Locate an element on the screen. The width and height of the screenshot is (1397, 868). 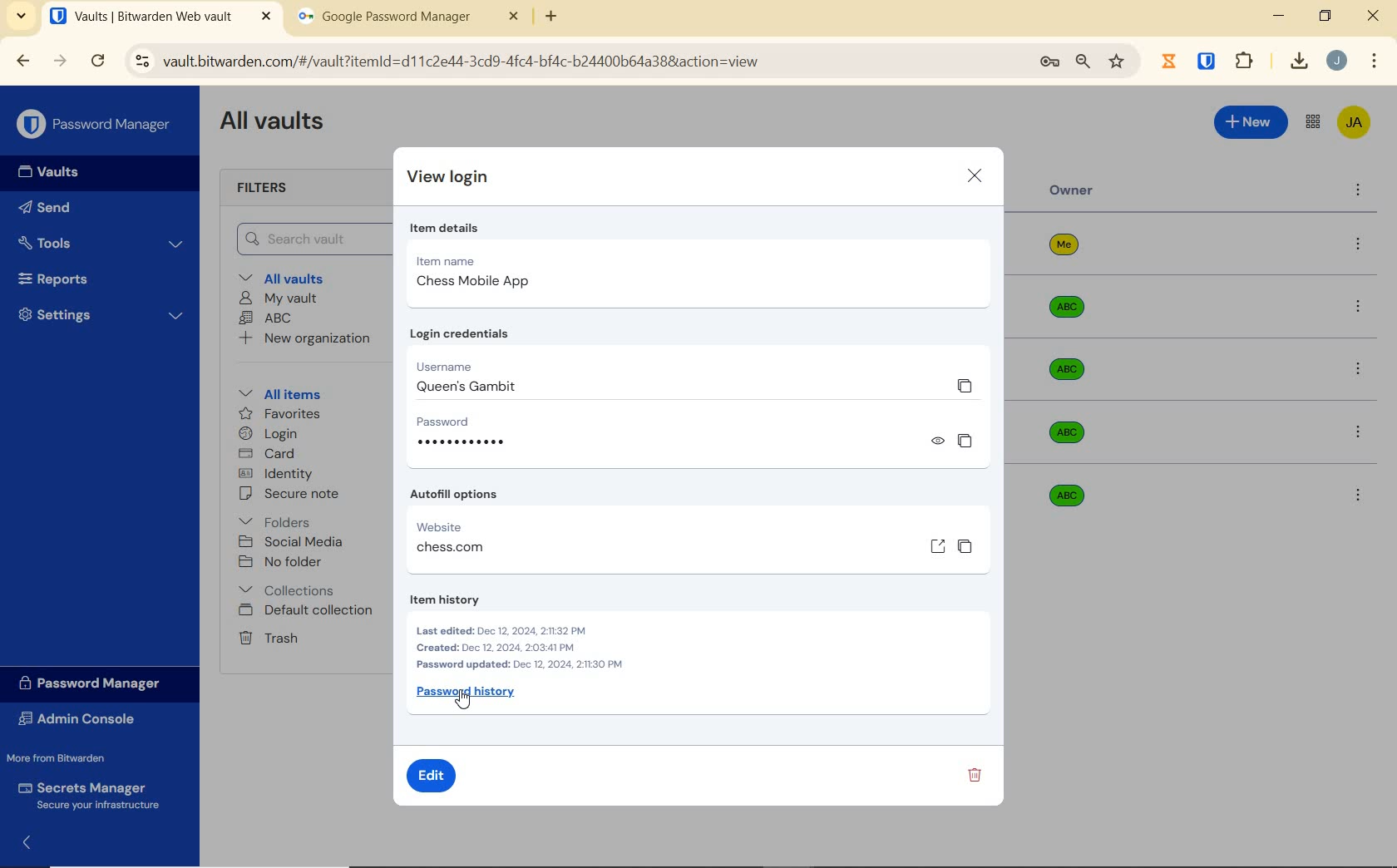
open is located at coordinates (936, 545).